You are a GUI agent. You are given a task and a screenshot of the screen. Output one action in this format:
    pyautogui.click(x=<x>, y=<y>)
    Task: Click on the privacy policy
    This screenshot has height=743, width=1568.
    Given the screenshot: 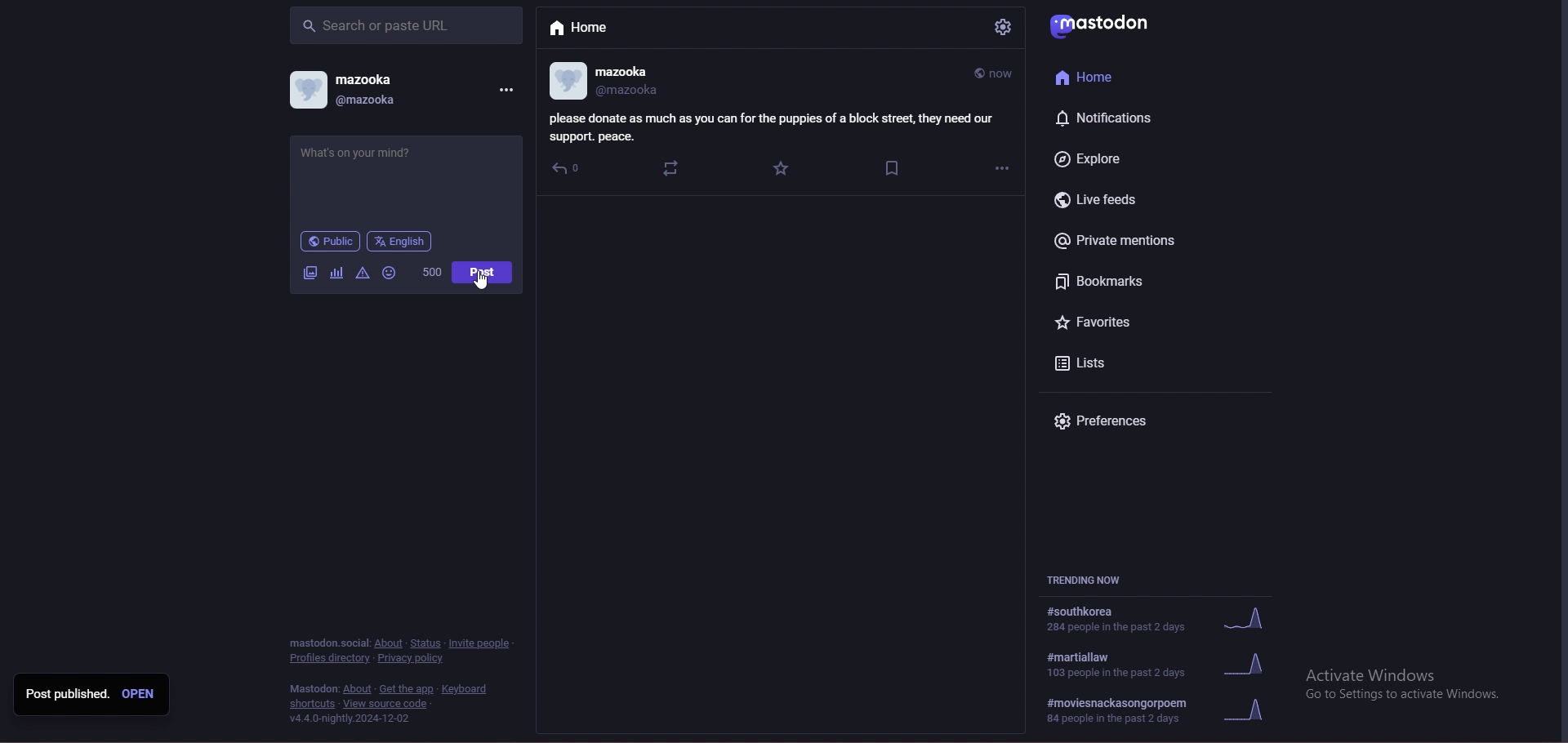 What is the action you would take?
    pyautogui.click(x=413, y=657)
    